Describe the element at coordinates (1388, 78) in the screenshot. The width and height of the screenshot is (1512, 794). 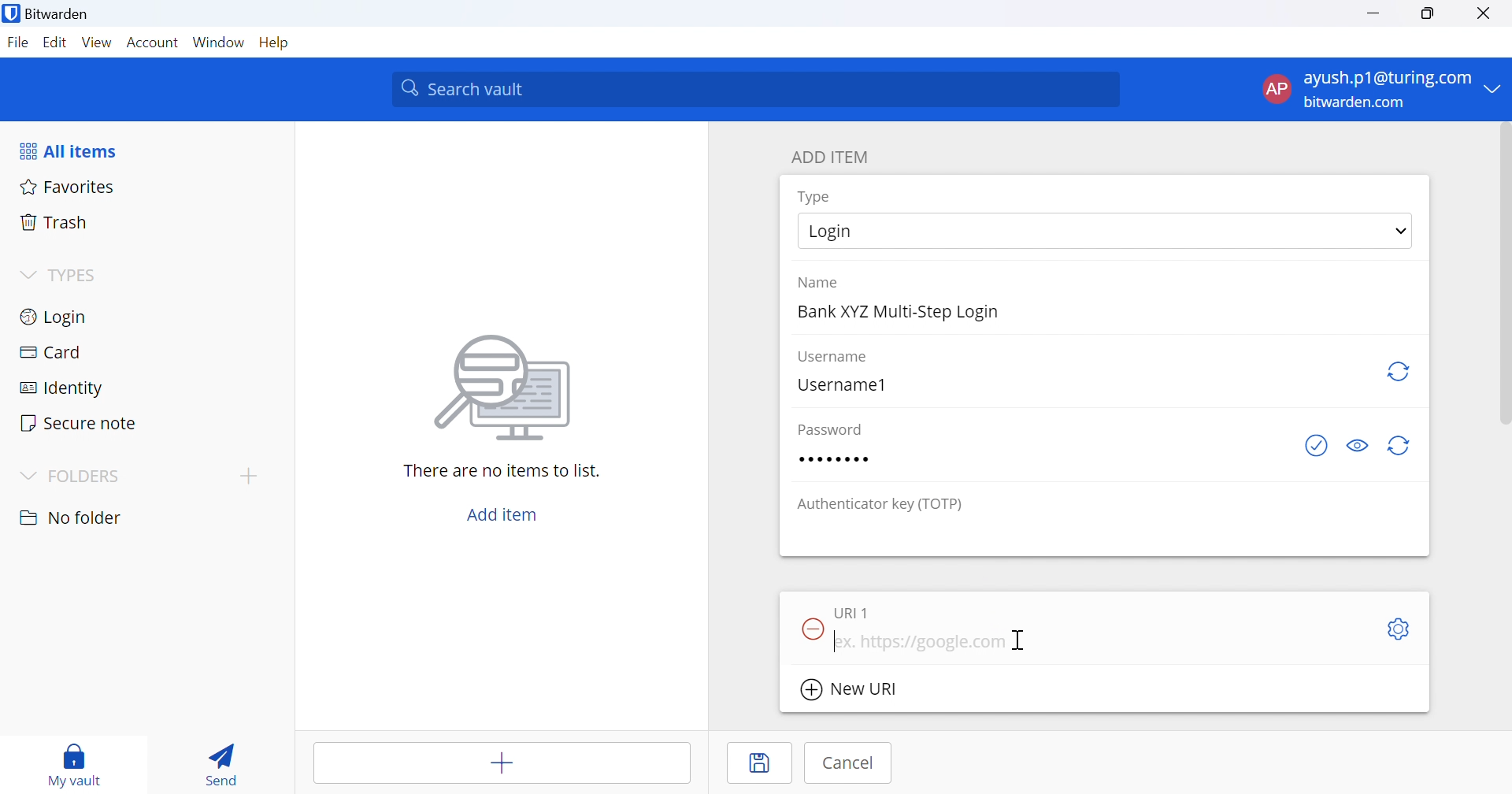
I see `ayush.p1@turing.com` at that location.